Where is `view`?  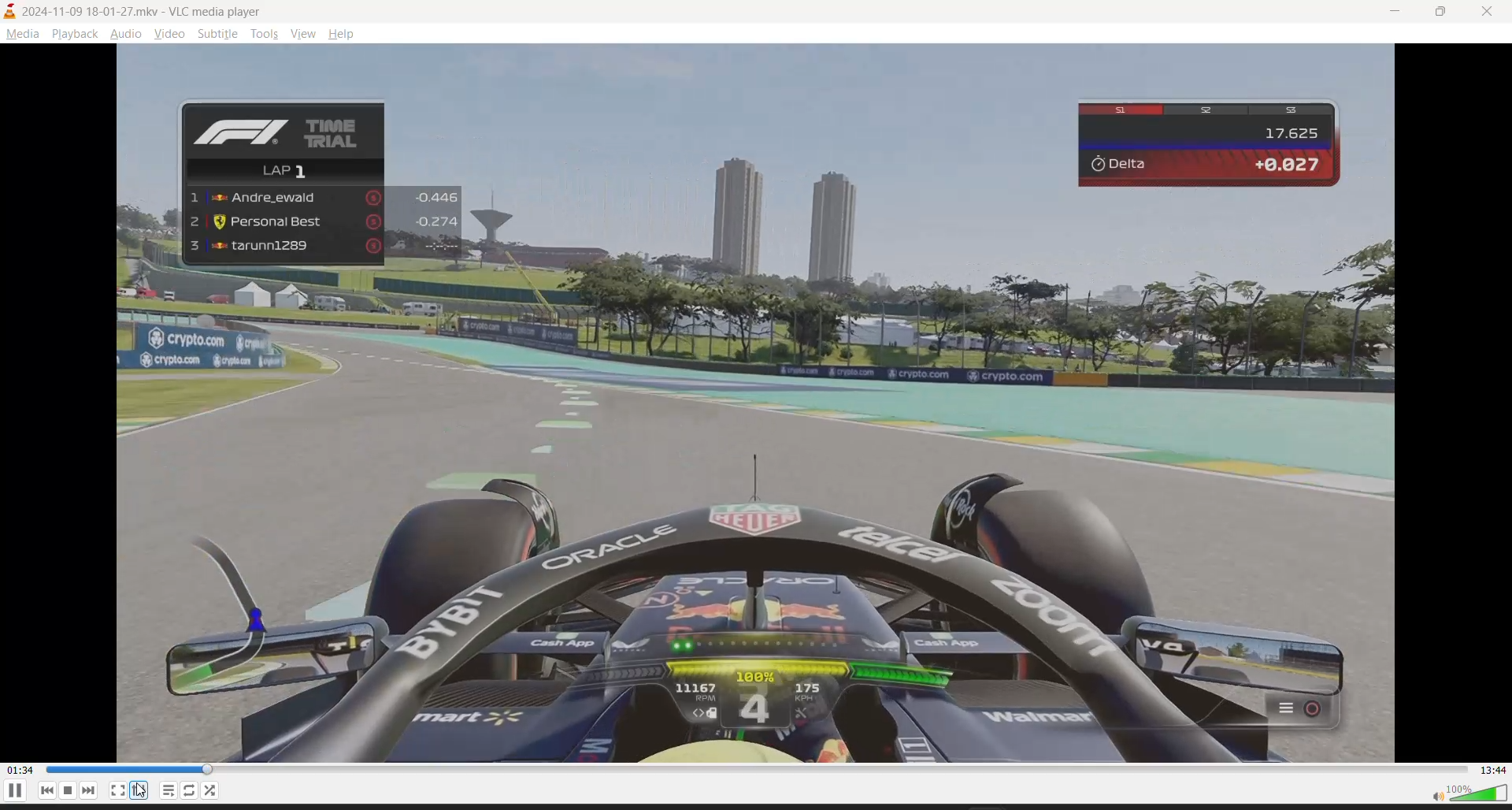 view is located at coordinates (302, 35).